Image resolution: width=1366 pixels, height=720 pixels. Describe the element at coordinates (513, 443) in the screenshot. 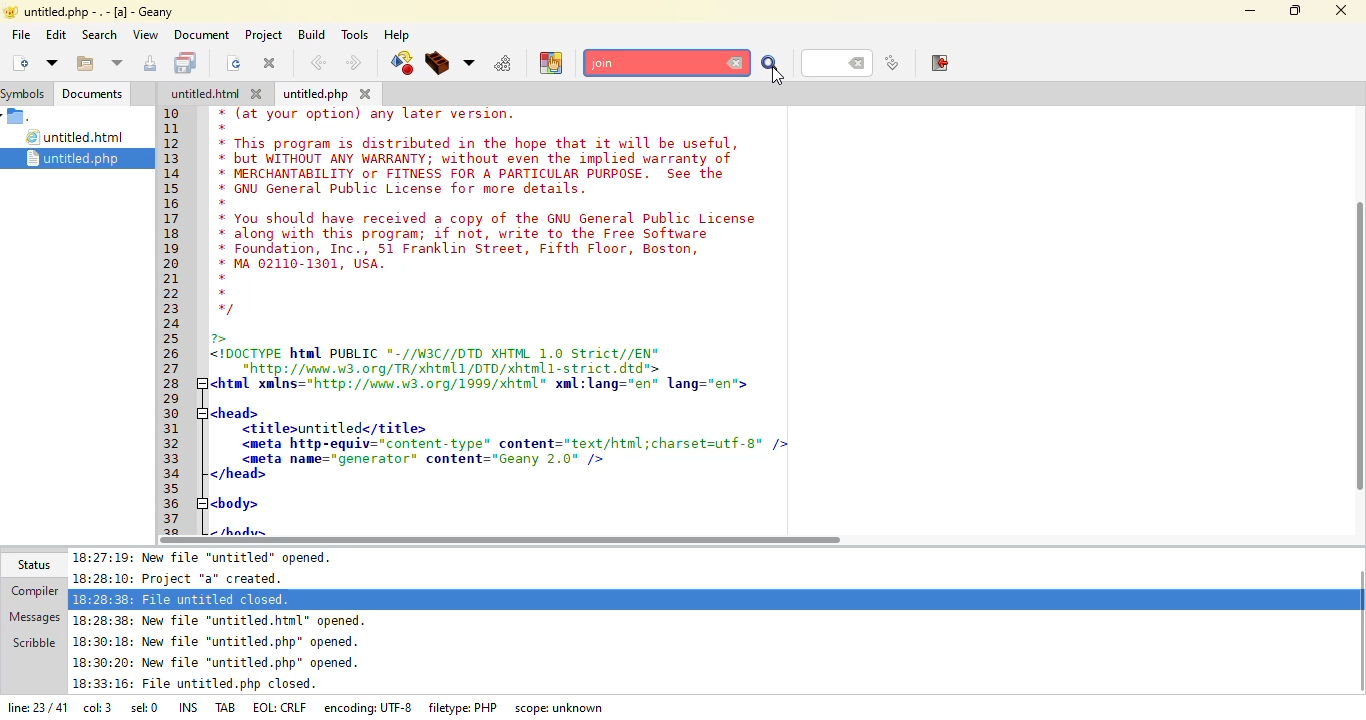

I see ` <meta http-equiv="content-type" content="text/html;charset=utf-8" />` at that location.